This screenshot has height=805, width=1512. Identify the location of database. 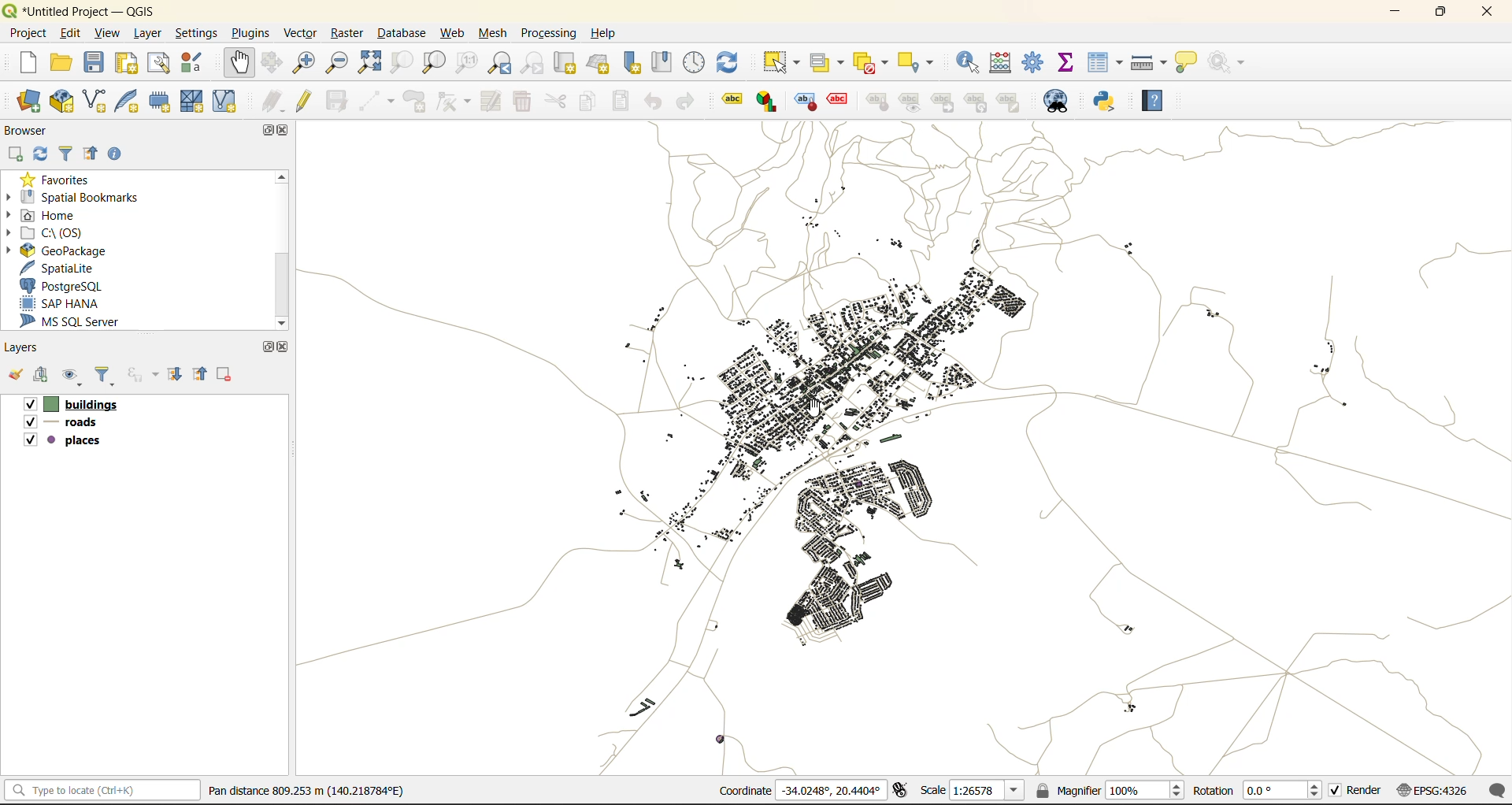
(400, 31).